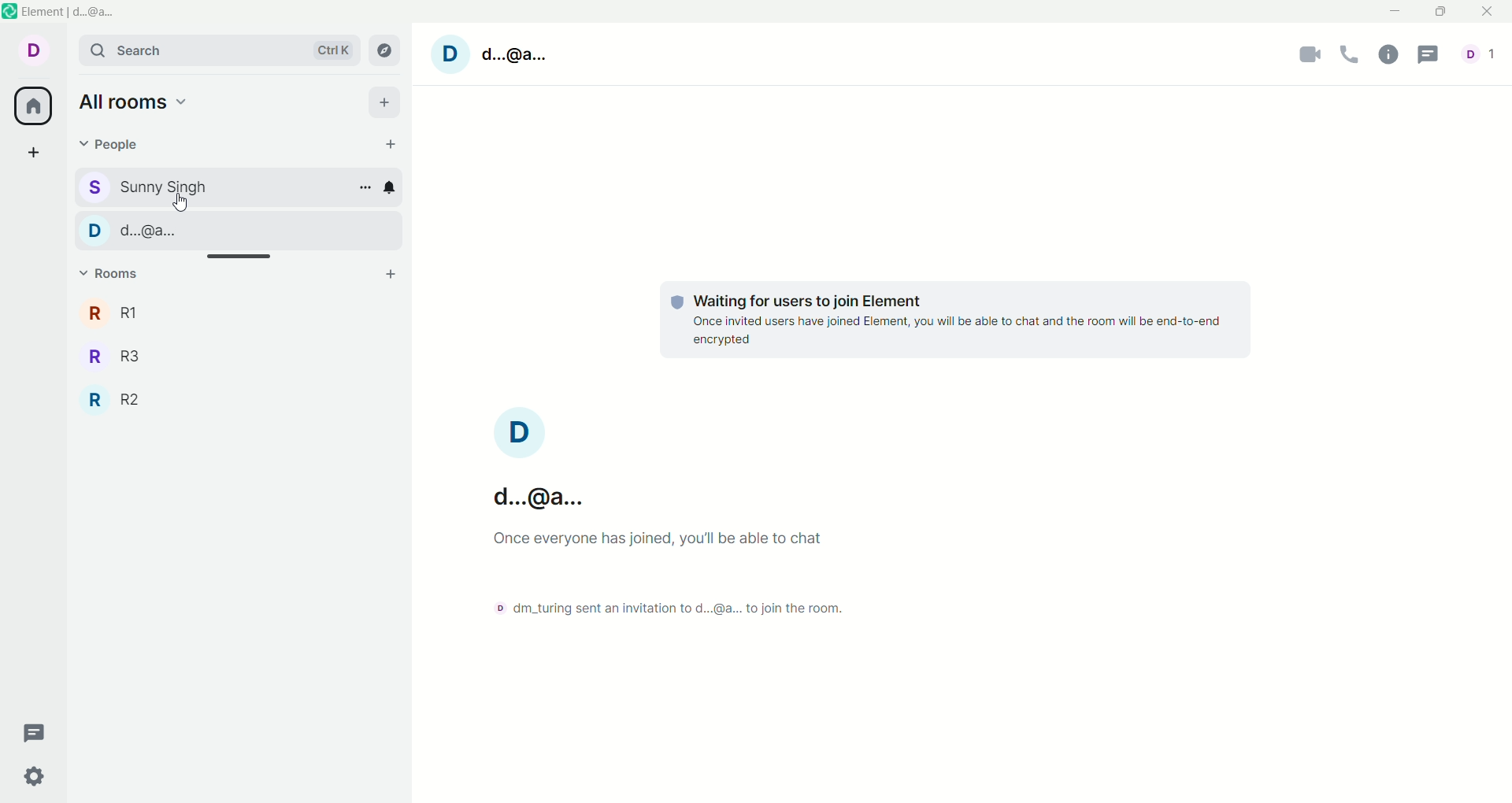 The image size is (1512, 803). What do you see at coordinates (10, 13) in the screenshot?
I see `logo` at bounding box center [10, 13].